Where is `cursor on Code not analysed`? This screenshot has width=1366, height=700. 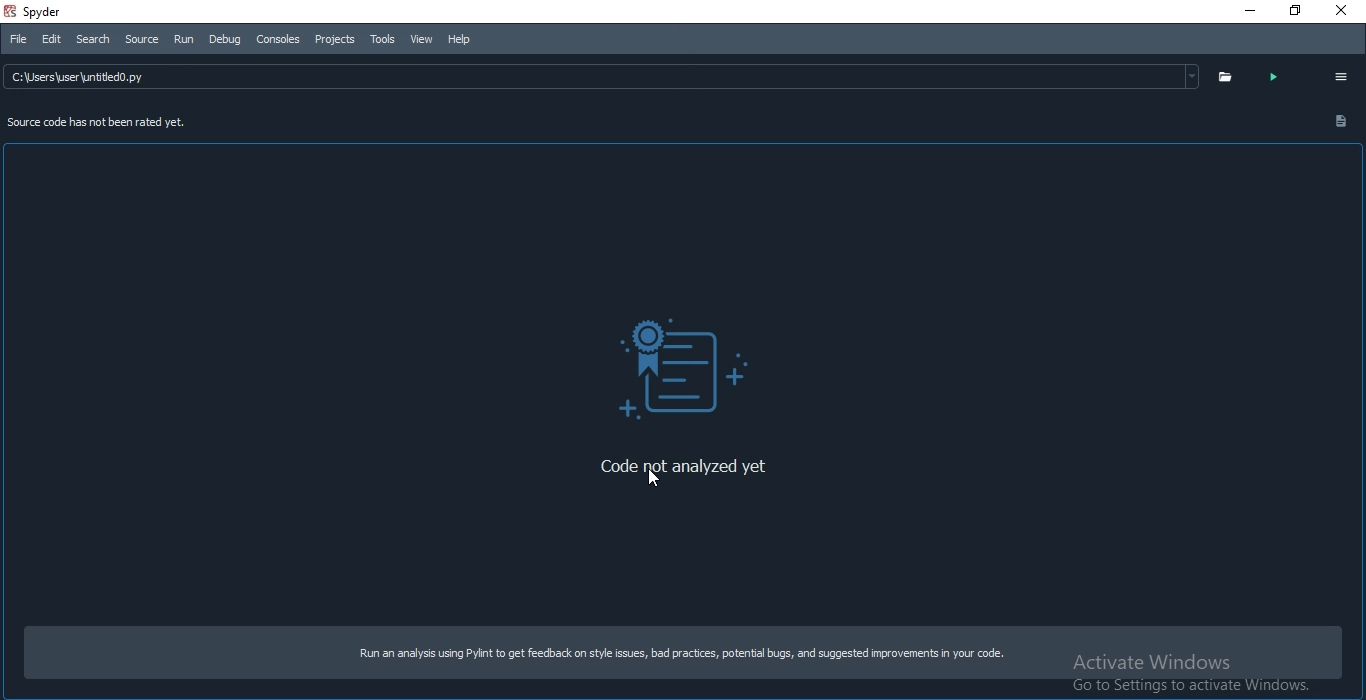
cursor on Code not analysed is located at coordinates (657, 475).